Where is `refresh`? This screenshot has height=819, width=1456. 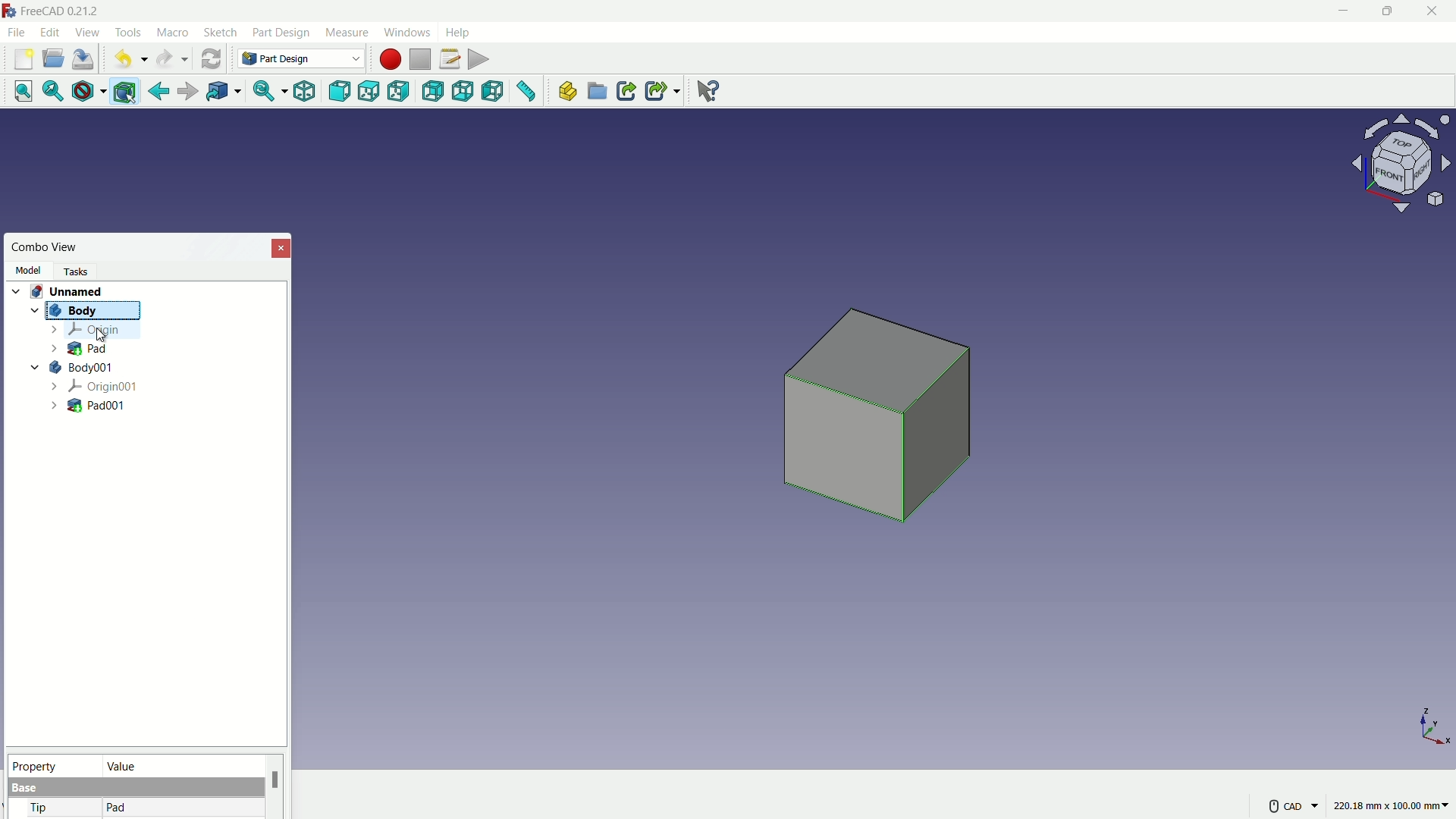 refresh is located at coordinates (211, 58).